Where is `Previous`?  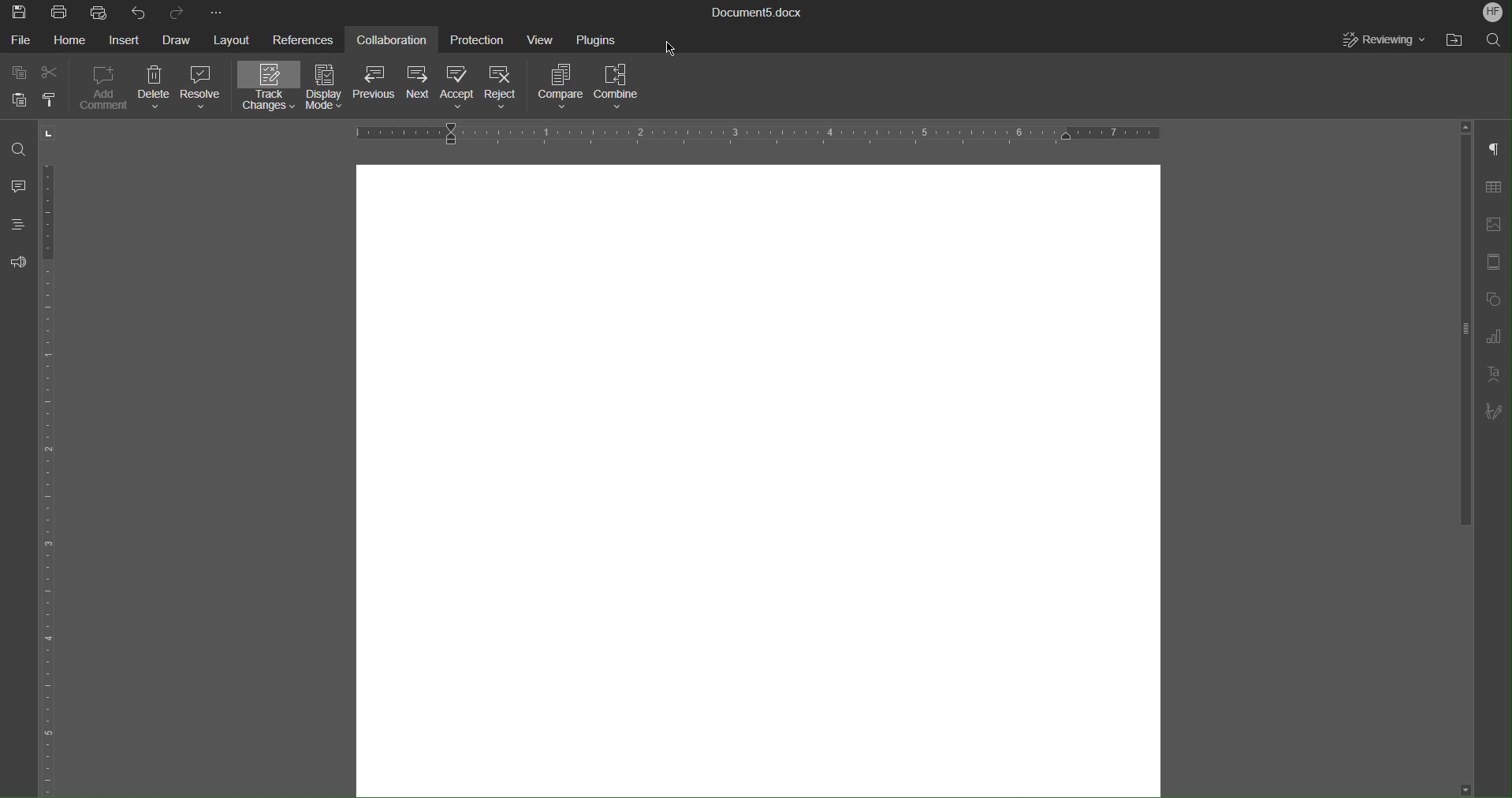 Previous is located at coordinates (378, 88).